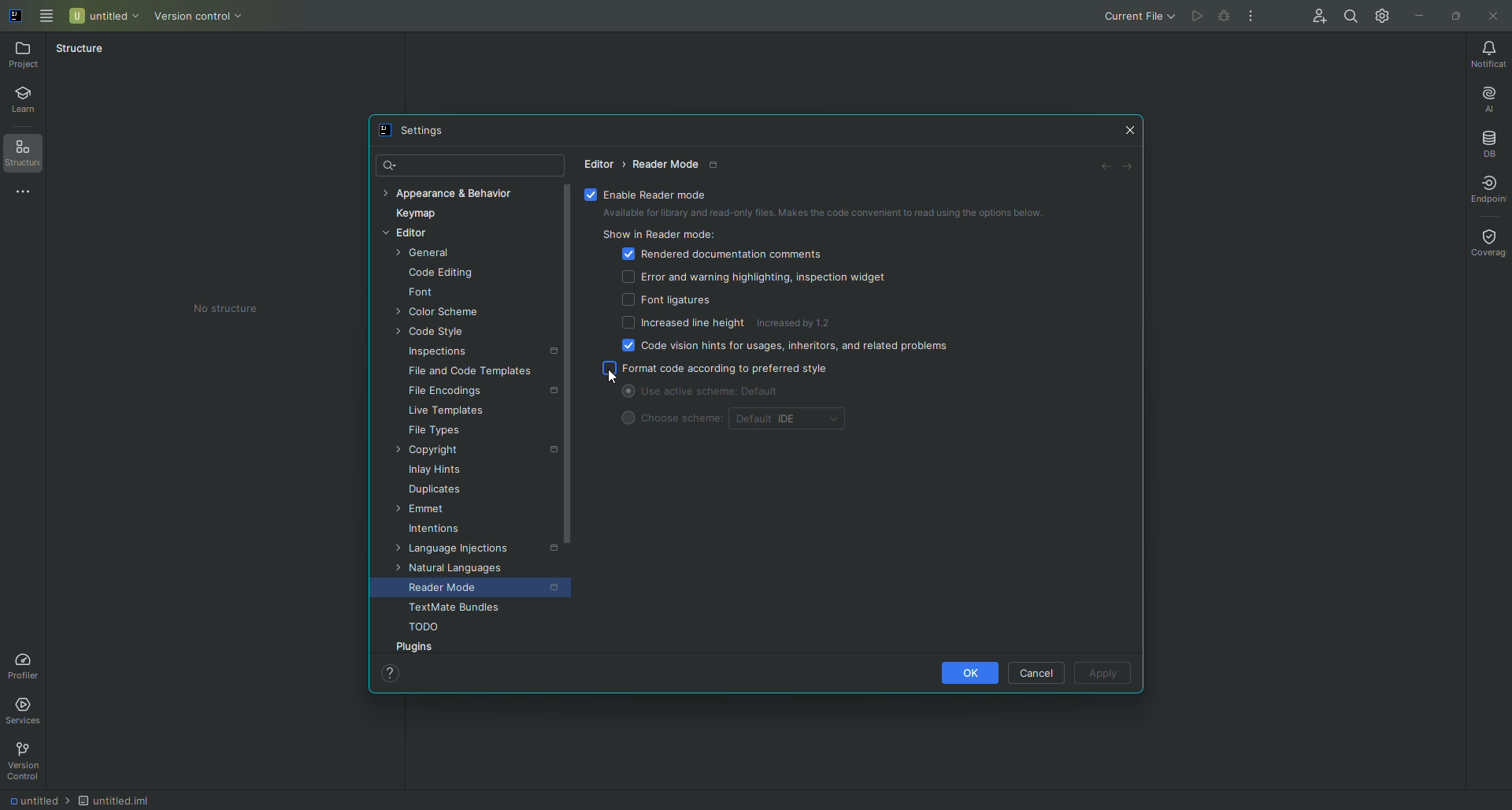 Image resolution: width=1512 pixels, height=810 pixels. I want to click on Version control, so click(200, 18).